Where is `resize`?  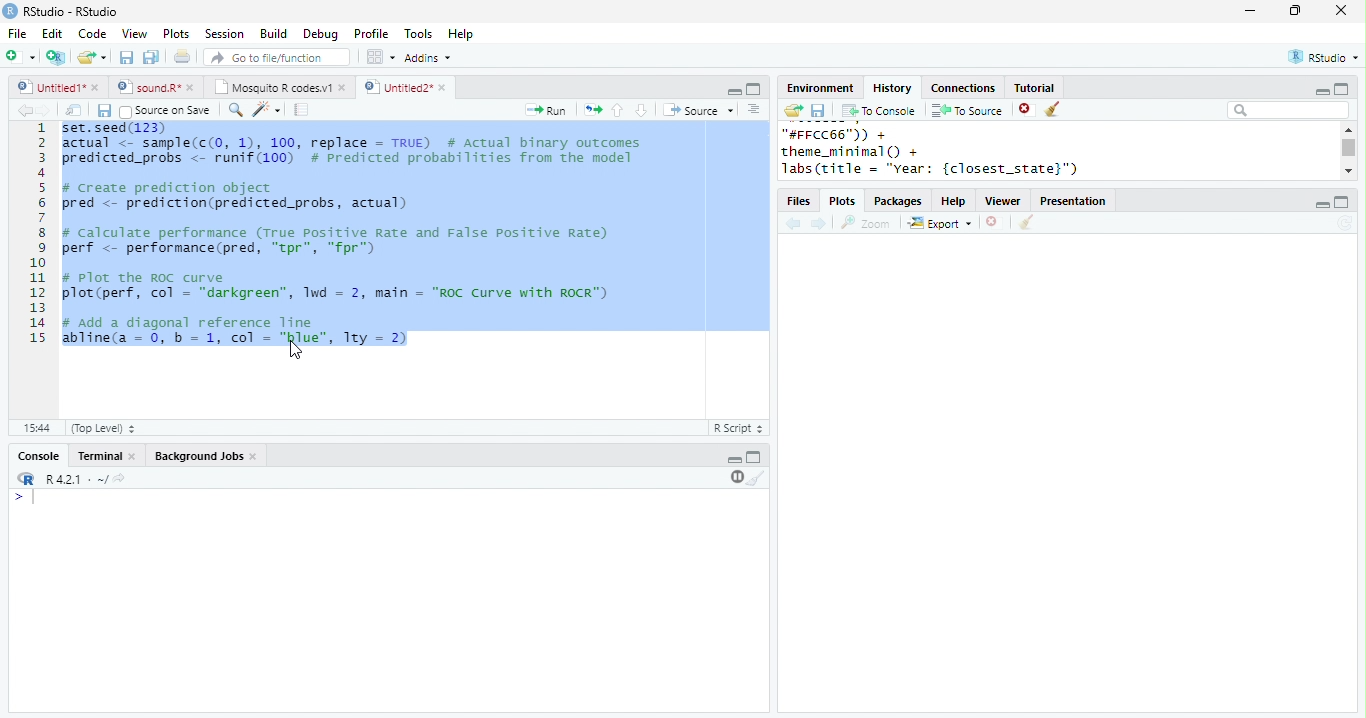
resize is located at coordinates (1295, 11).